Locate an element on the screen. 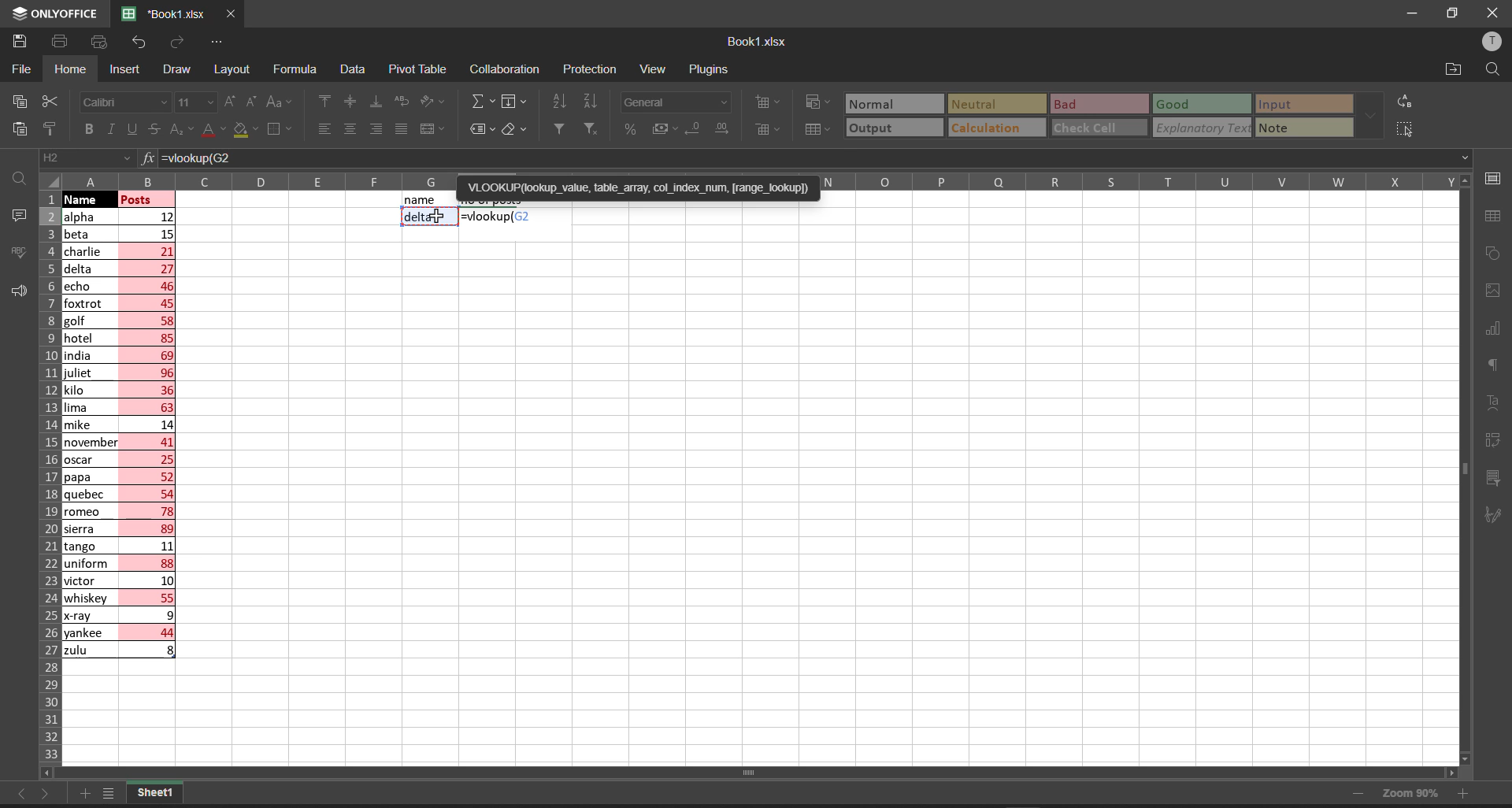 This screenshot has width=1512, height=808. Good is located at coordinates (1175, 103).